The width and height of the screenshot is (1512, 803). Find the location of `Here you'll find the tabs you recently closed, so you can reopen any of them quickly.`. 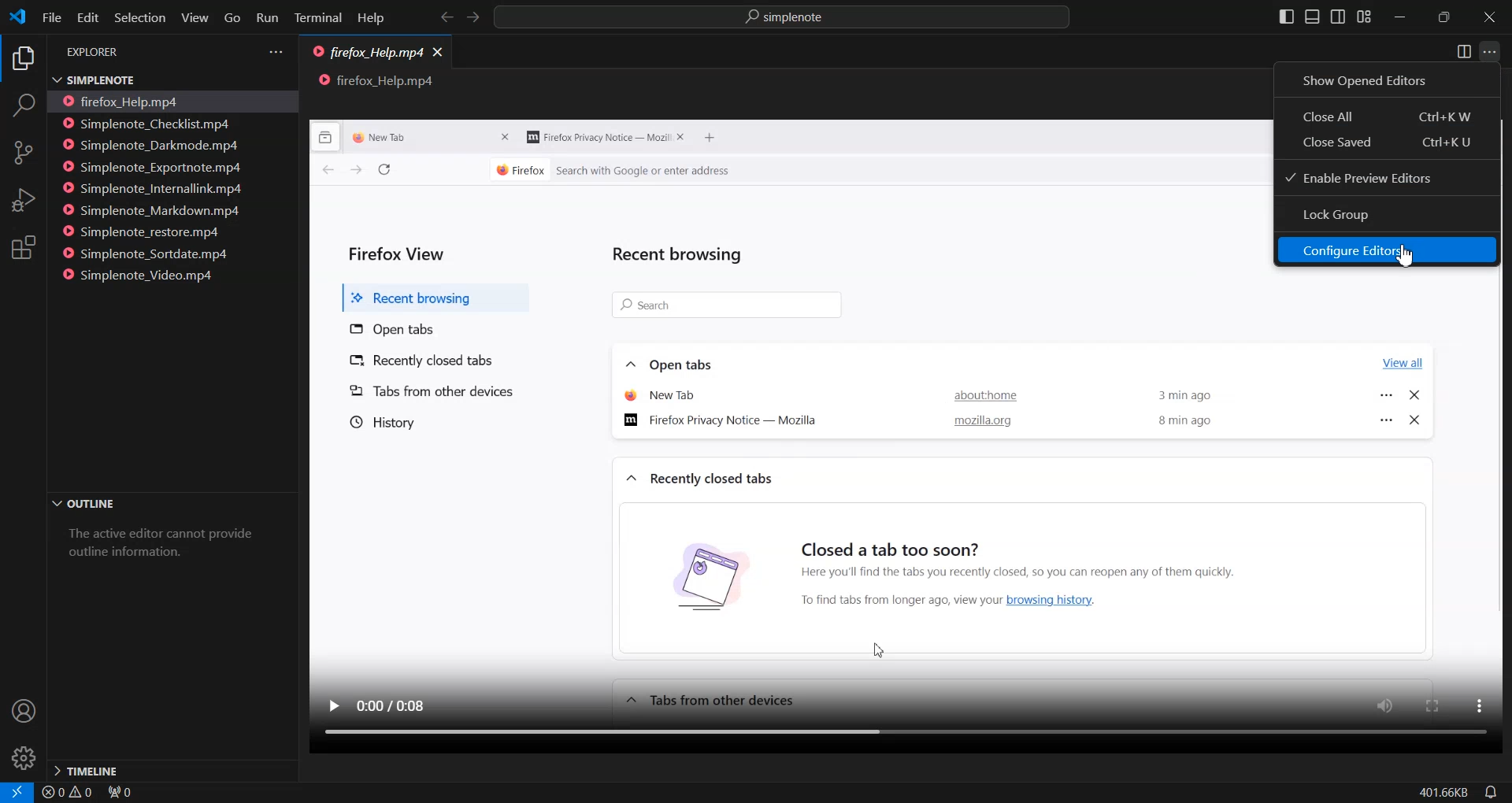

Here you'll find the tabs you recently closed, so you can reopen any of them quickly. is located at coordinates (1086, 570).